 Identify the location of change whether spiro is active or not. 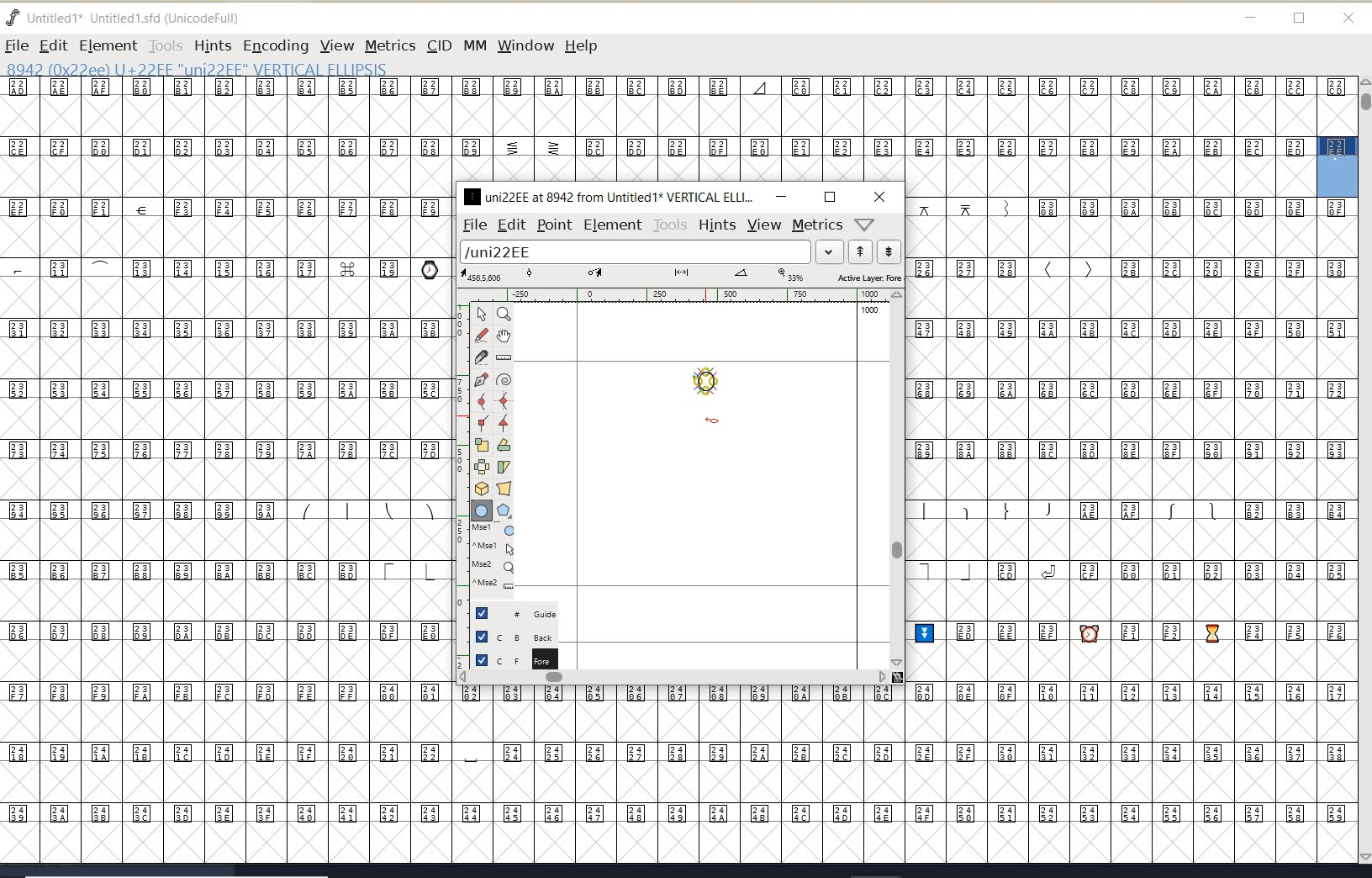
(504, 382).